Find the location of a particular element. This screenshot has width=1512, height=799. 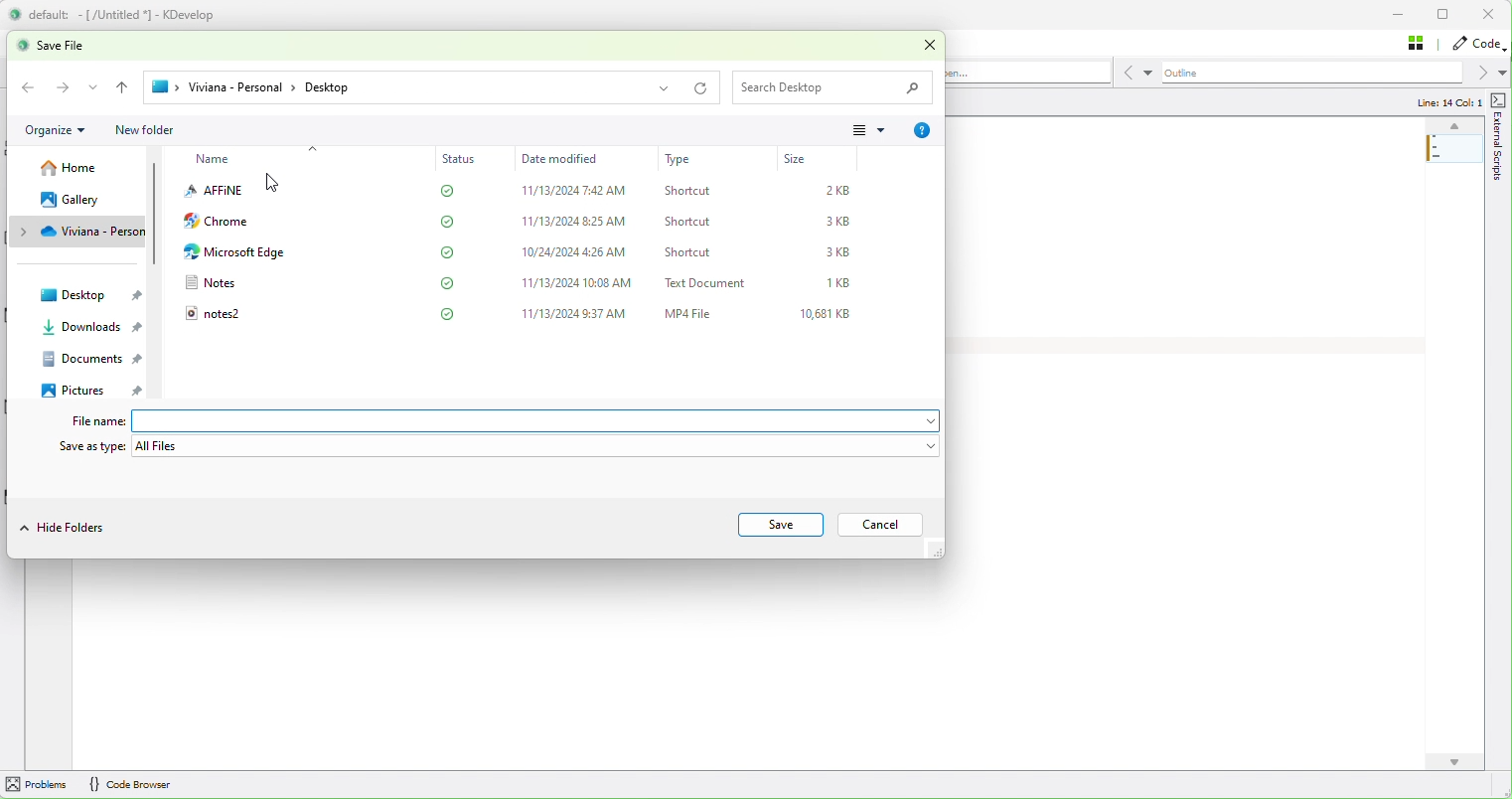

Downloads is located at coordinates (87, 328).